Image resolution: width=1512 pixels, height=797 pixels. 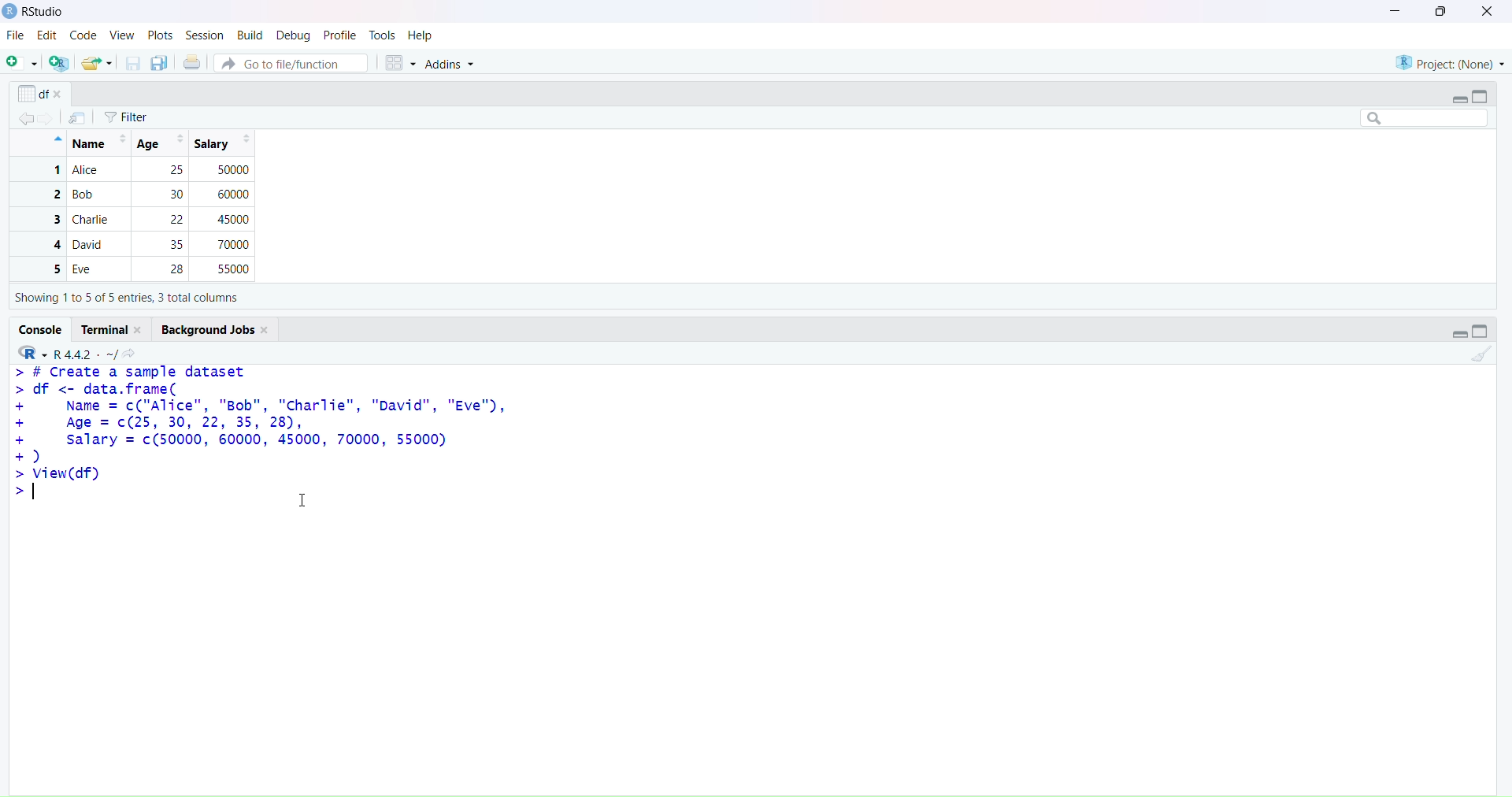 I want to click on search, so click(x=1416, y=118).